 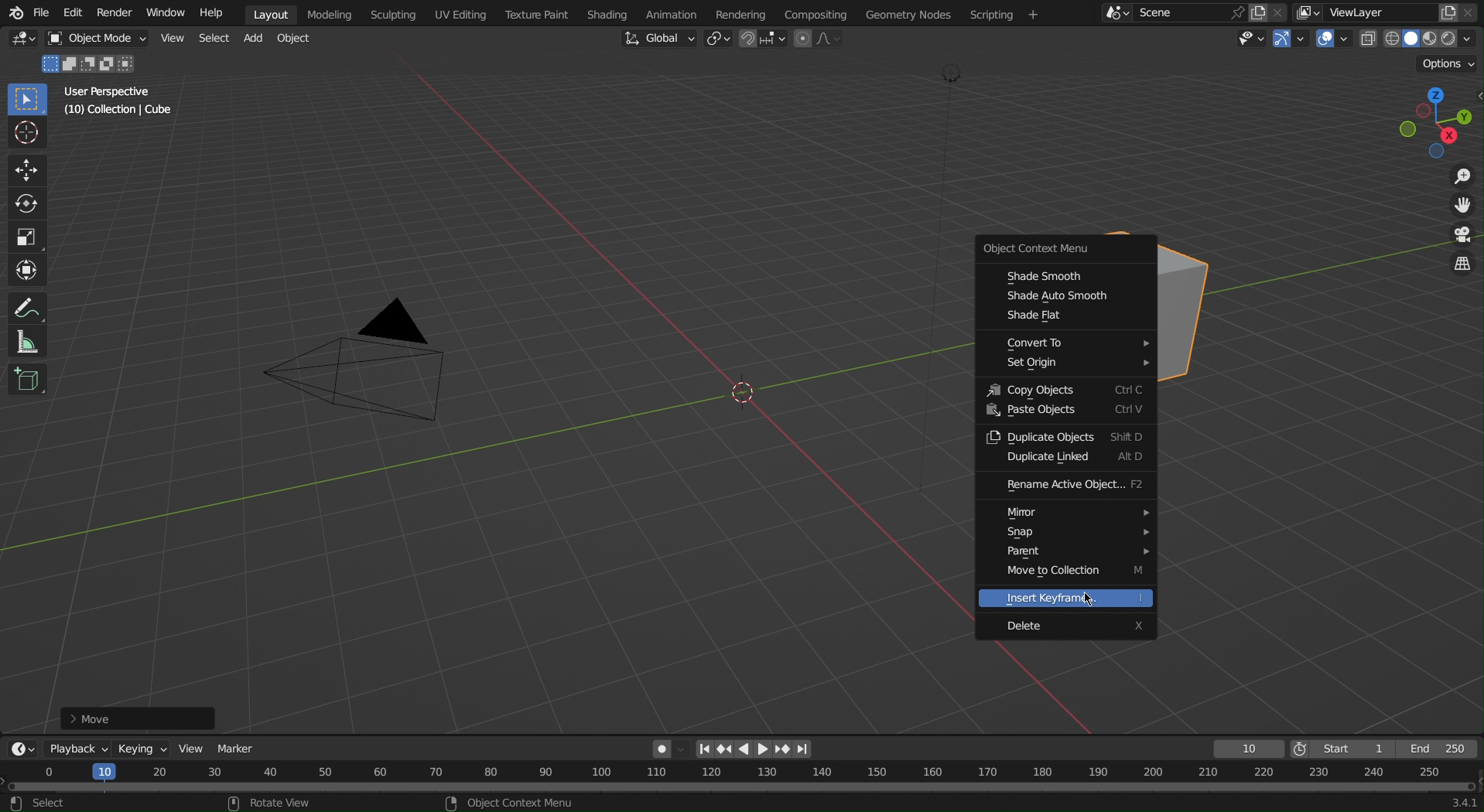 What do you see at coordinates (1334, 39) in the screenshot?
I see `Show Overlays` at bounding box center [1334, 39].